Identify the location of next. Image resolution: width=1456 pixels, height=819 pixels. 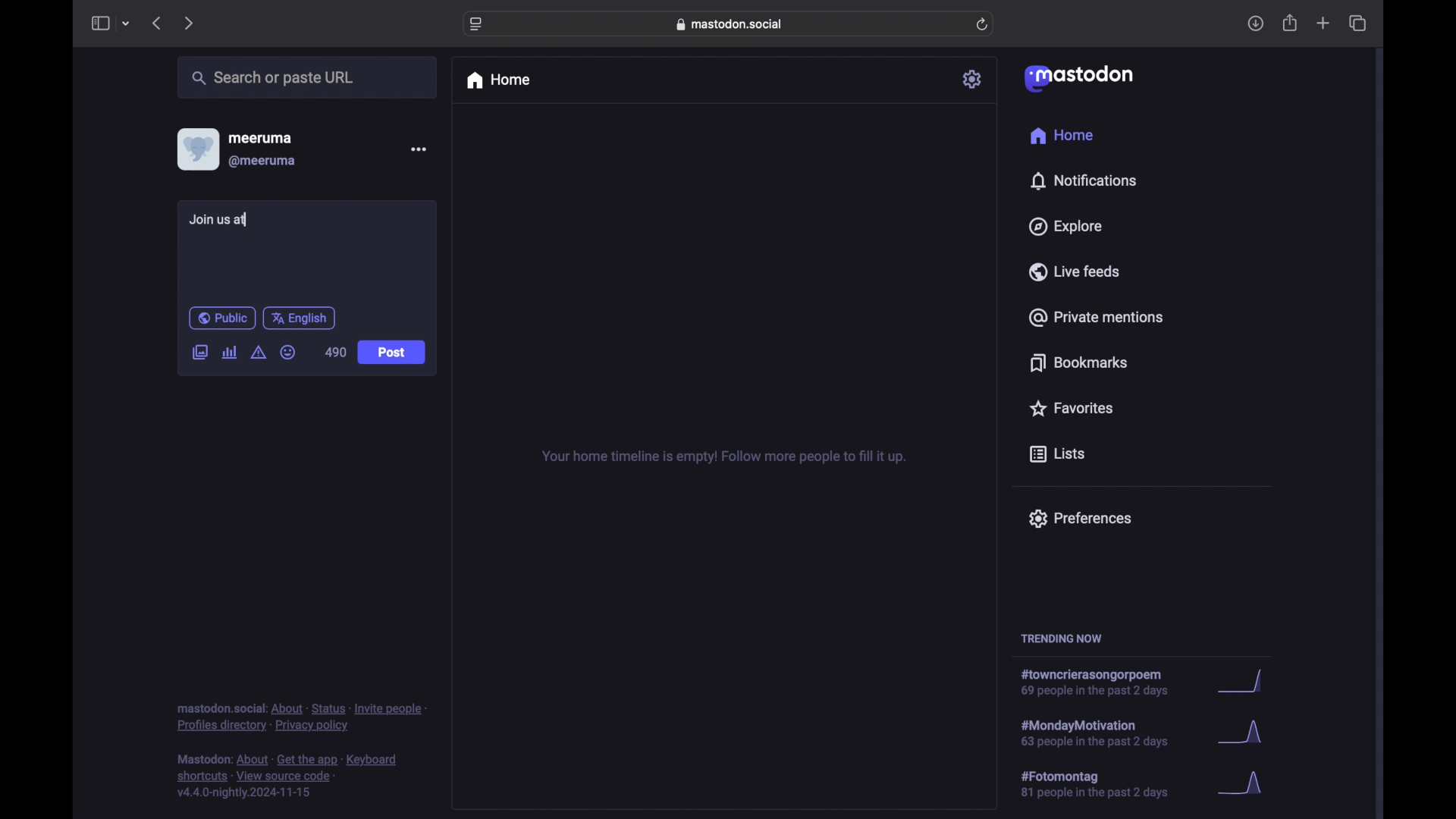
(190, 23).